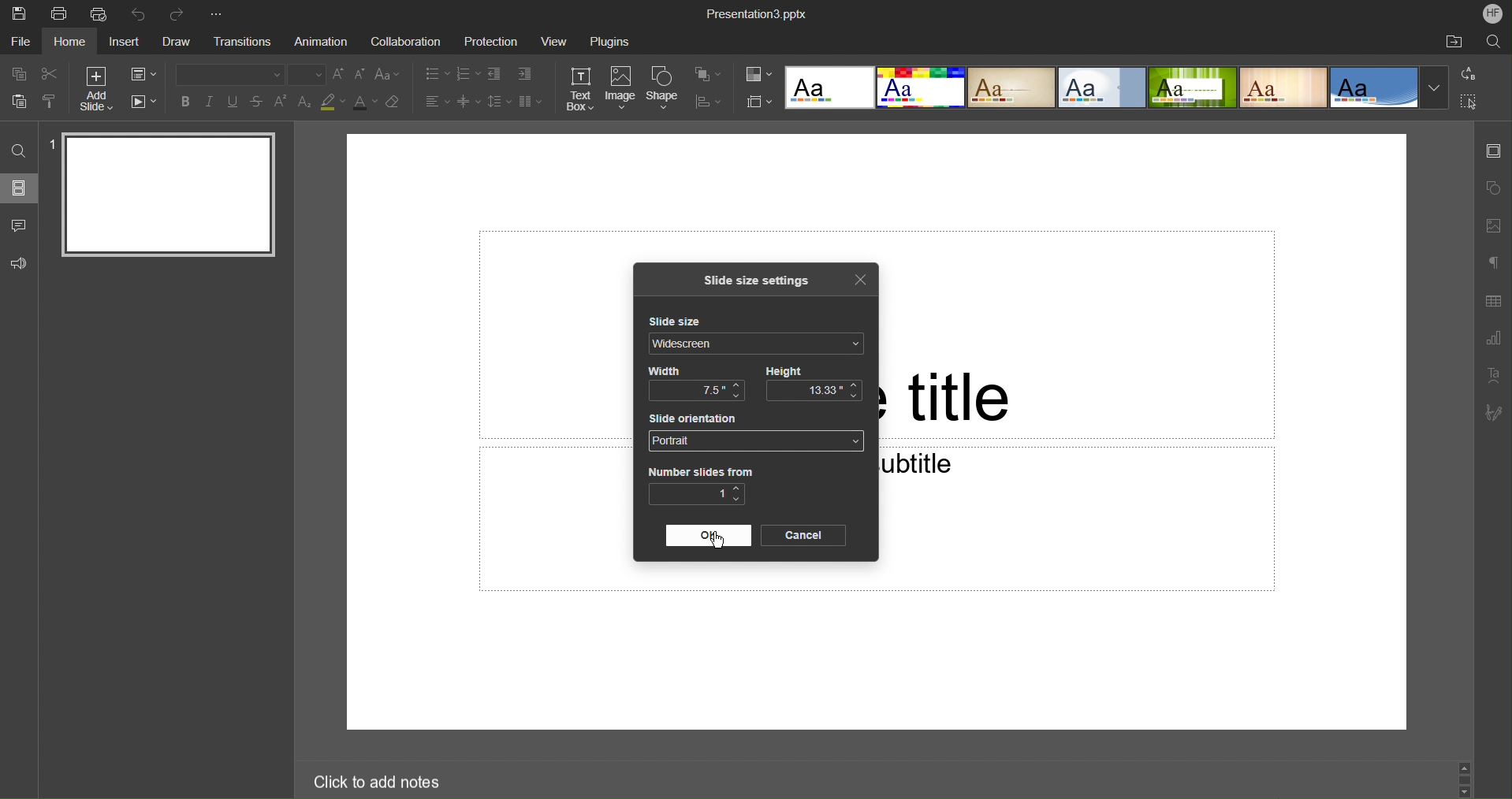  Describe the element at coordinates (247, 41) in the screenshot. I see `Transitions` at that location.